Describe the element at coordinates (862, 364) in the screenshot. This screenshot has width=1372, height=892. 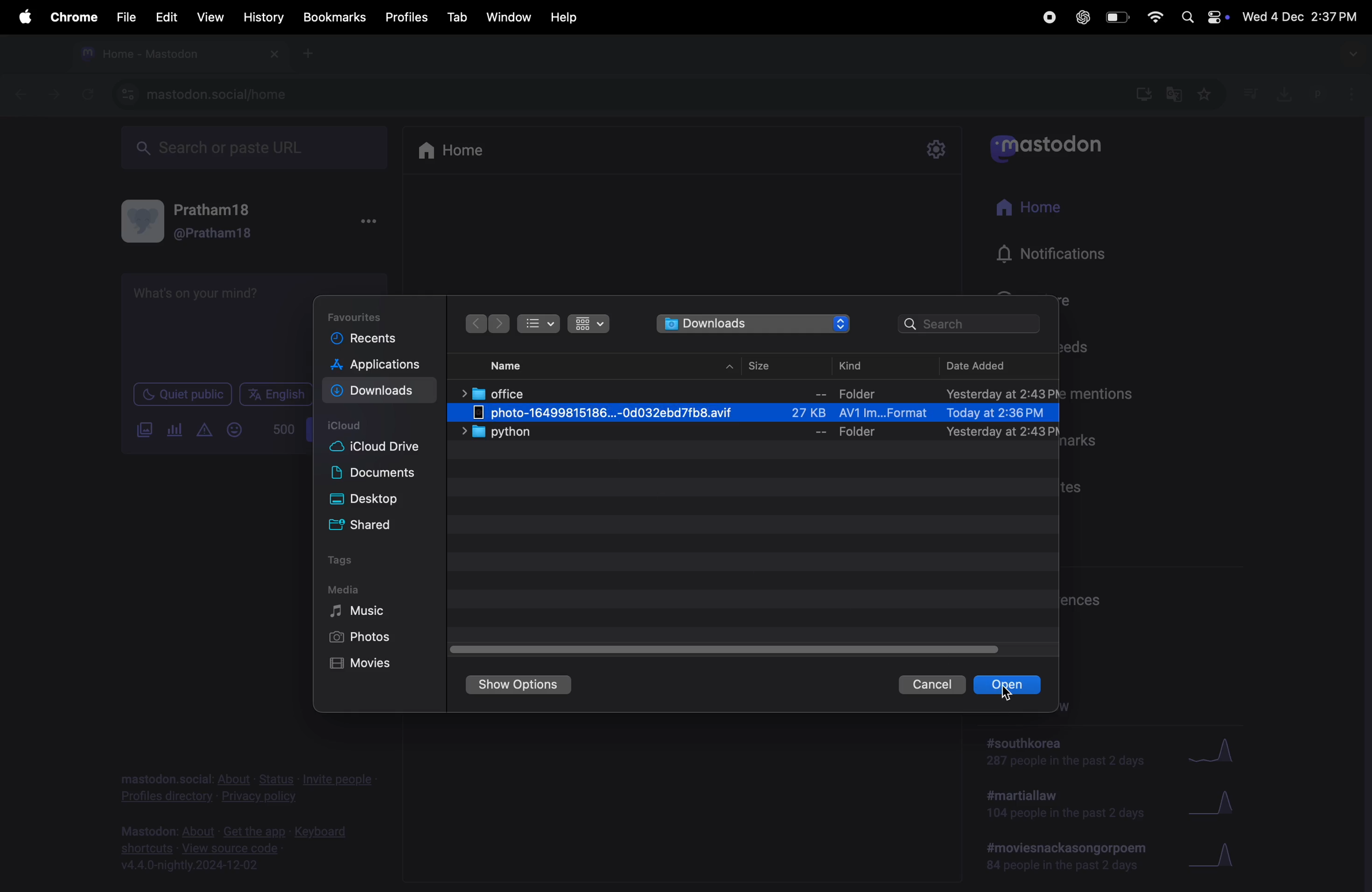
I see `kind` at that location.